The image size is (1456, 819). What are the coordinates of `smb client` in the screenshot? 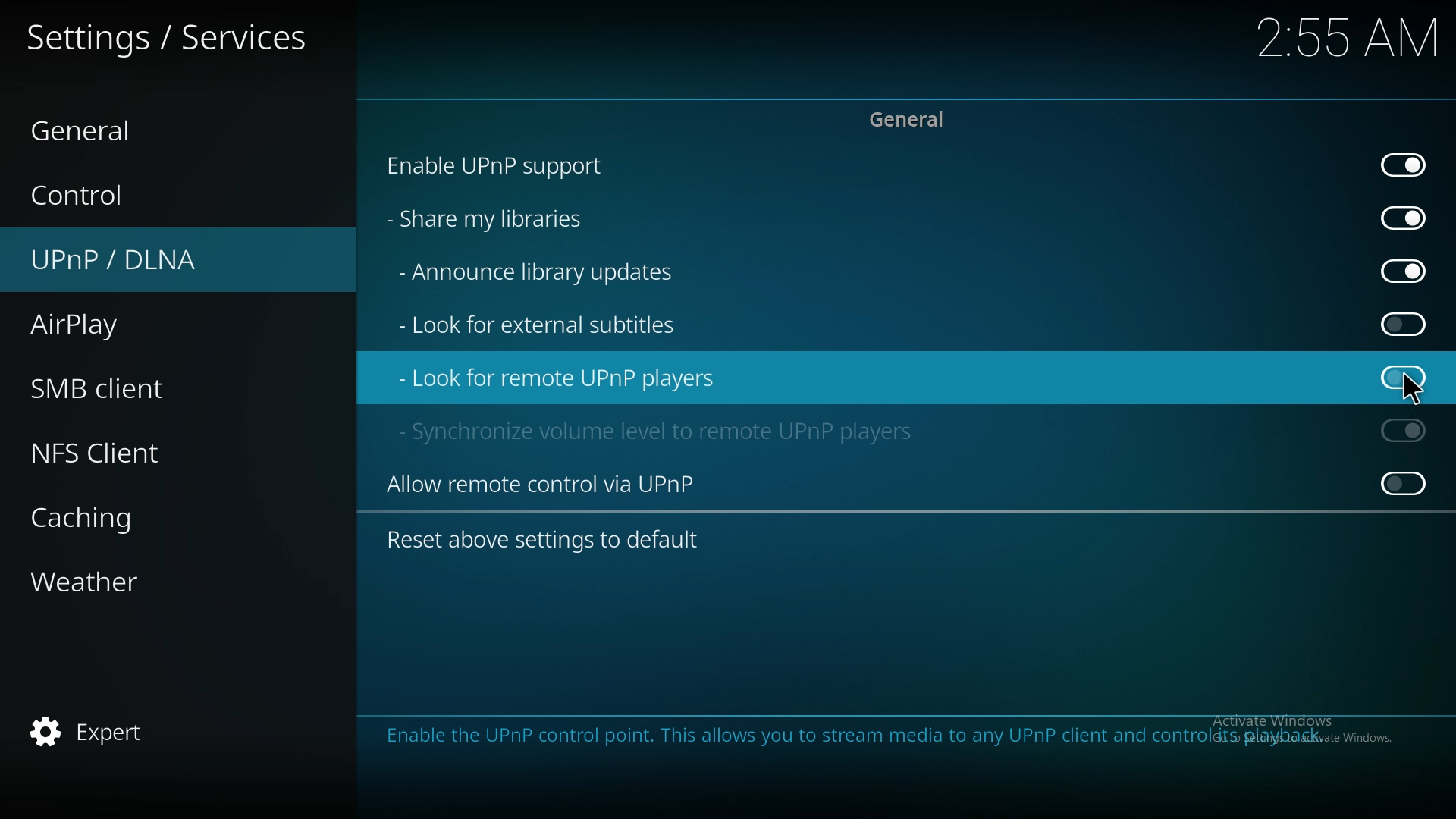 It's located at (121, 389).